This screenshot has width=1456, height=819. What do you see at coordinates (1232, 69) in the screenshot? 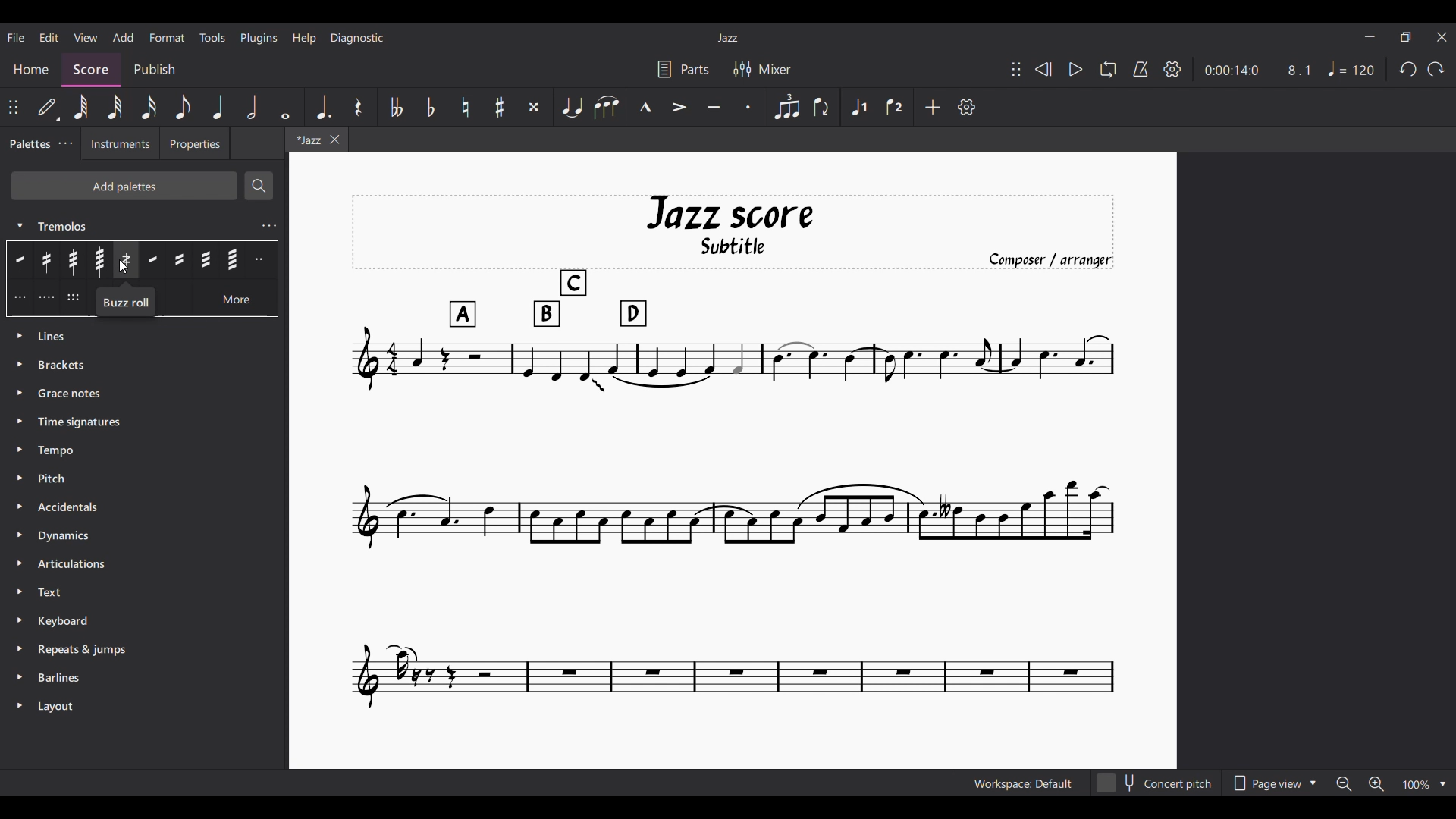
I see `0:00:14:0` at bounding box center [1232, 69].